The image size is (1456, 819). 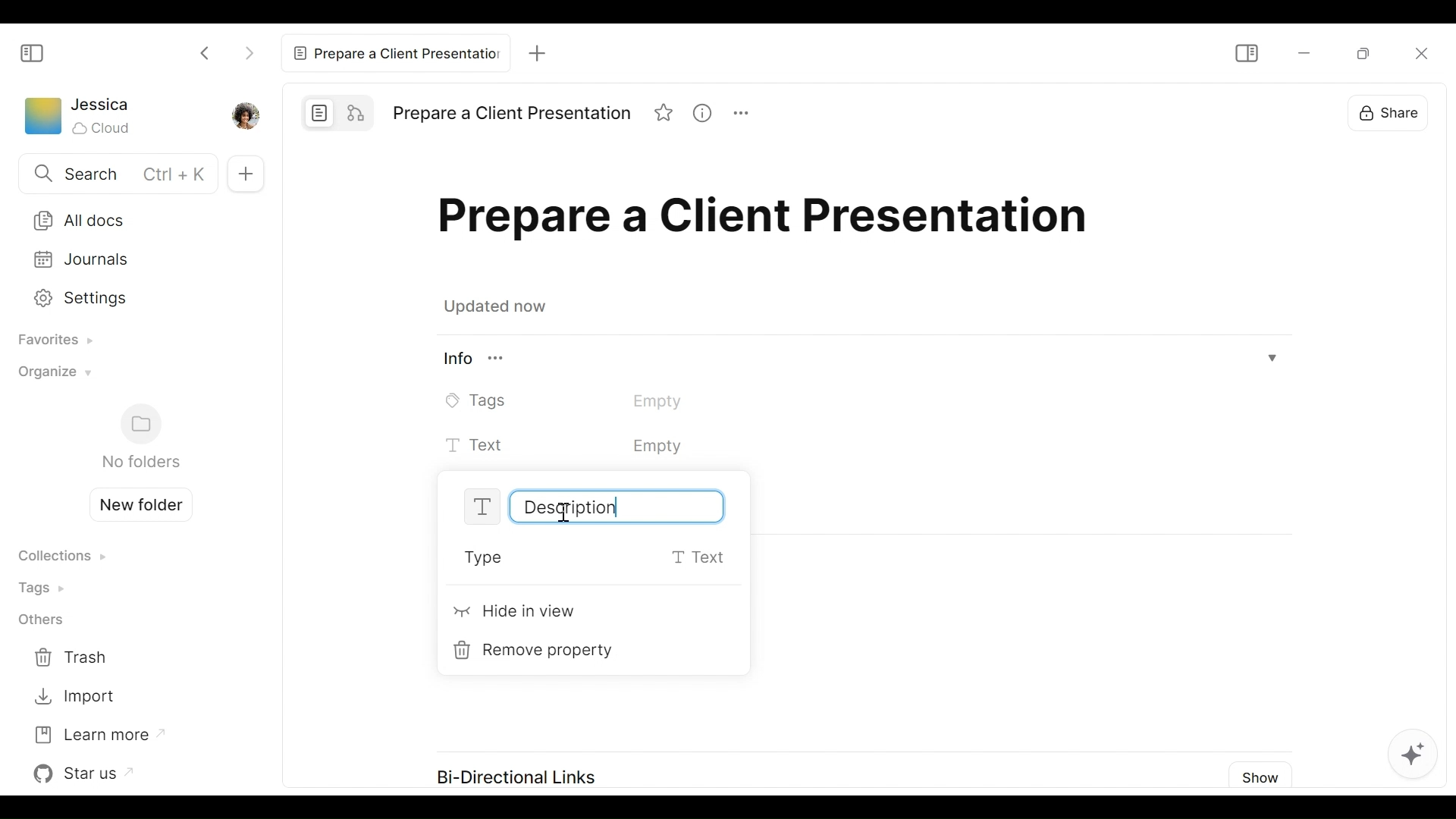 I want to click on Tags, so click(x=46, y=587).